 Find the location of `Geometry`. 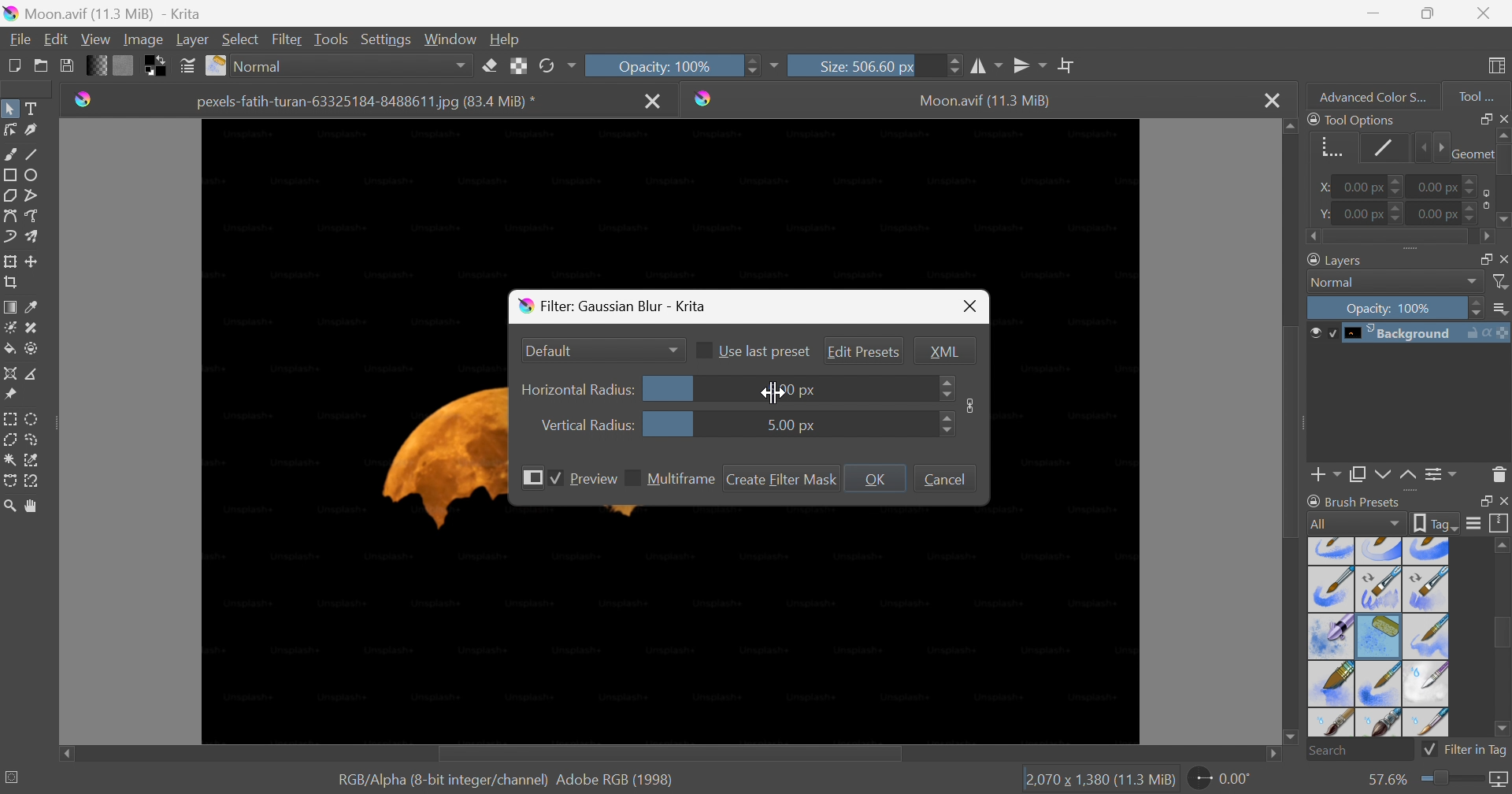

Geometry is located at coordinates (1470, 154).